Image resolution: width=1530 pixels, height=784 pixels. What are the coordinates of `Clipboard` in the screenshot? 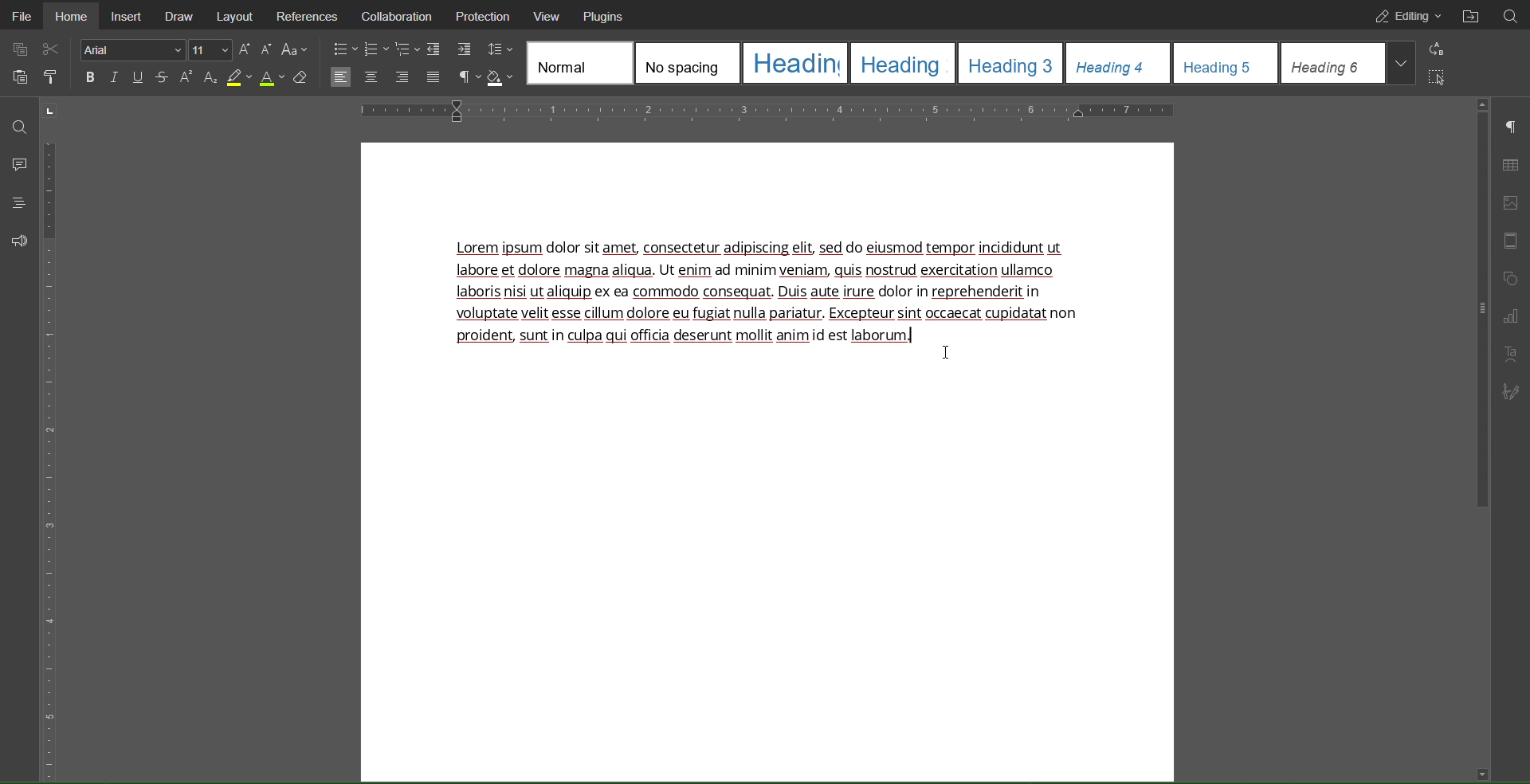 It's located at (18, 78).